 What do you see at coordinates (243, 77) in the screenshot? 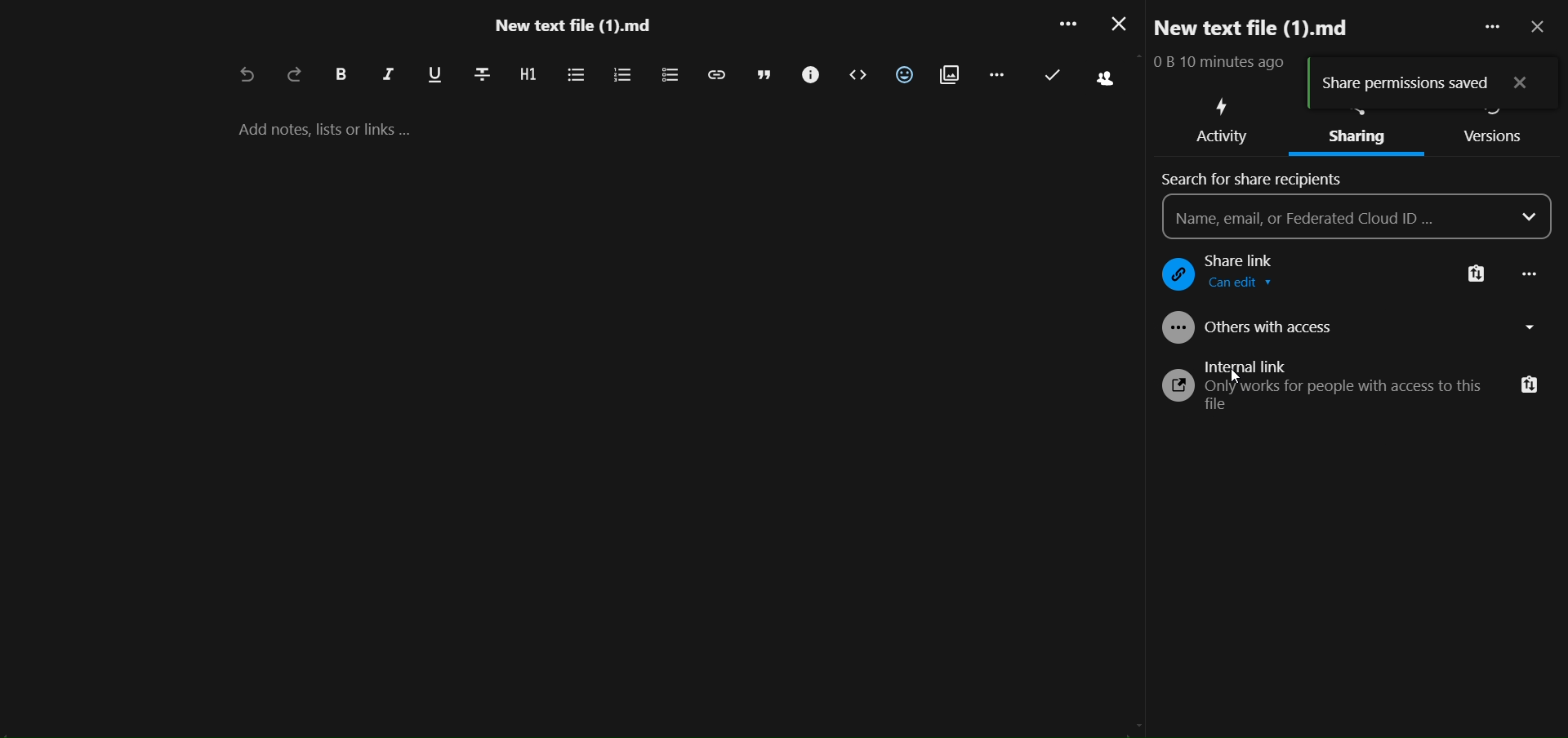
I see `undo` at bounding box center [243, 77].